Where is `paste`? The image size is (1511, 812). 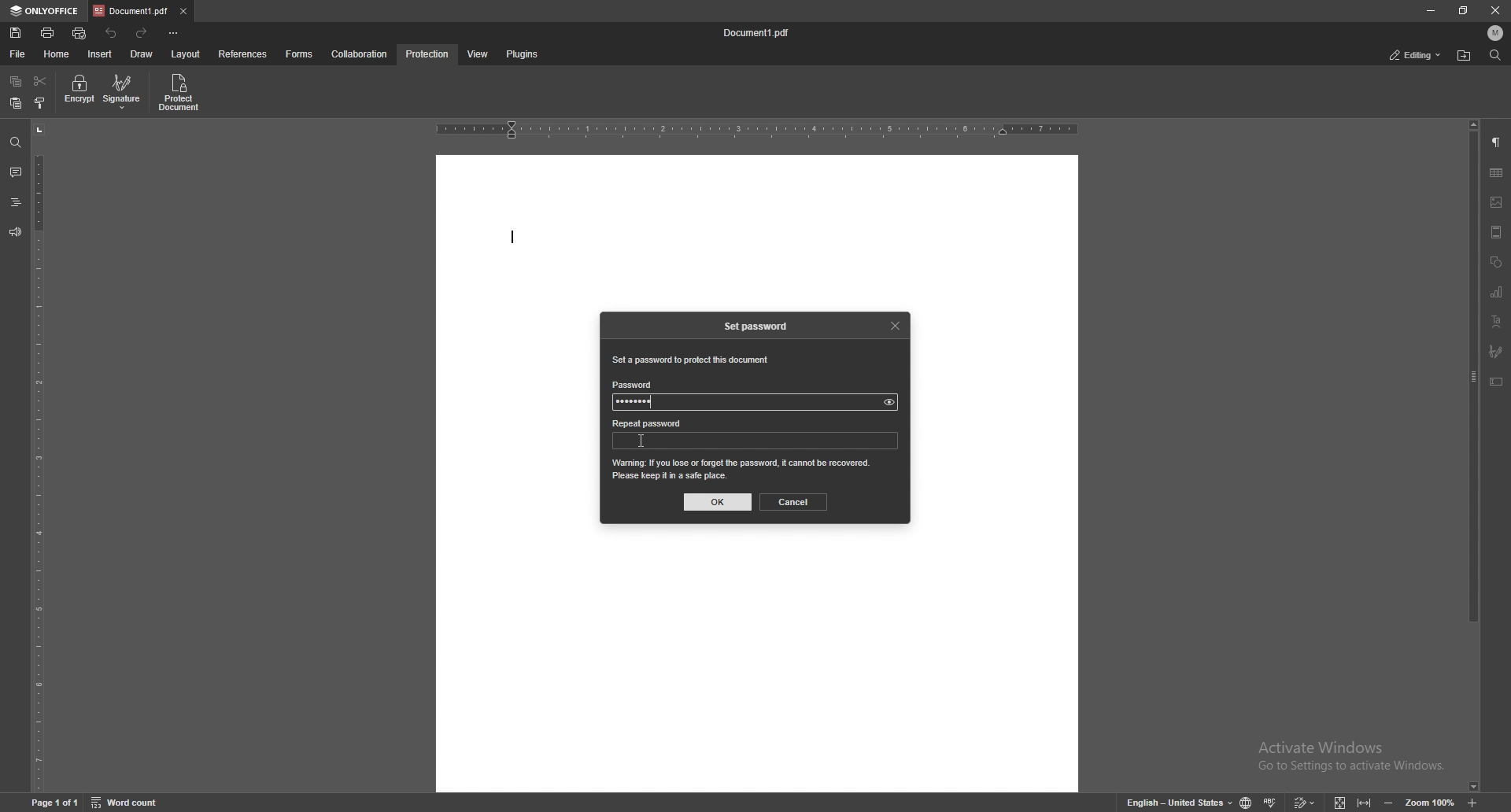
paste is located at coordinates (16, 104).